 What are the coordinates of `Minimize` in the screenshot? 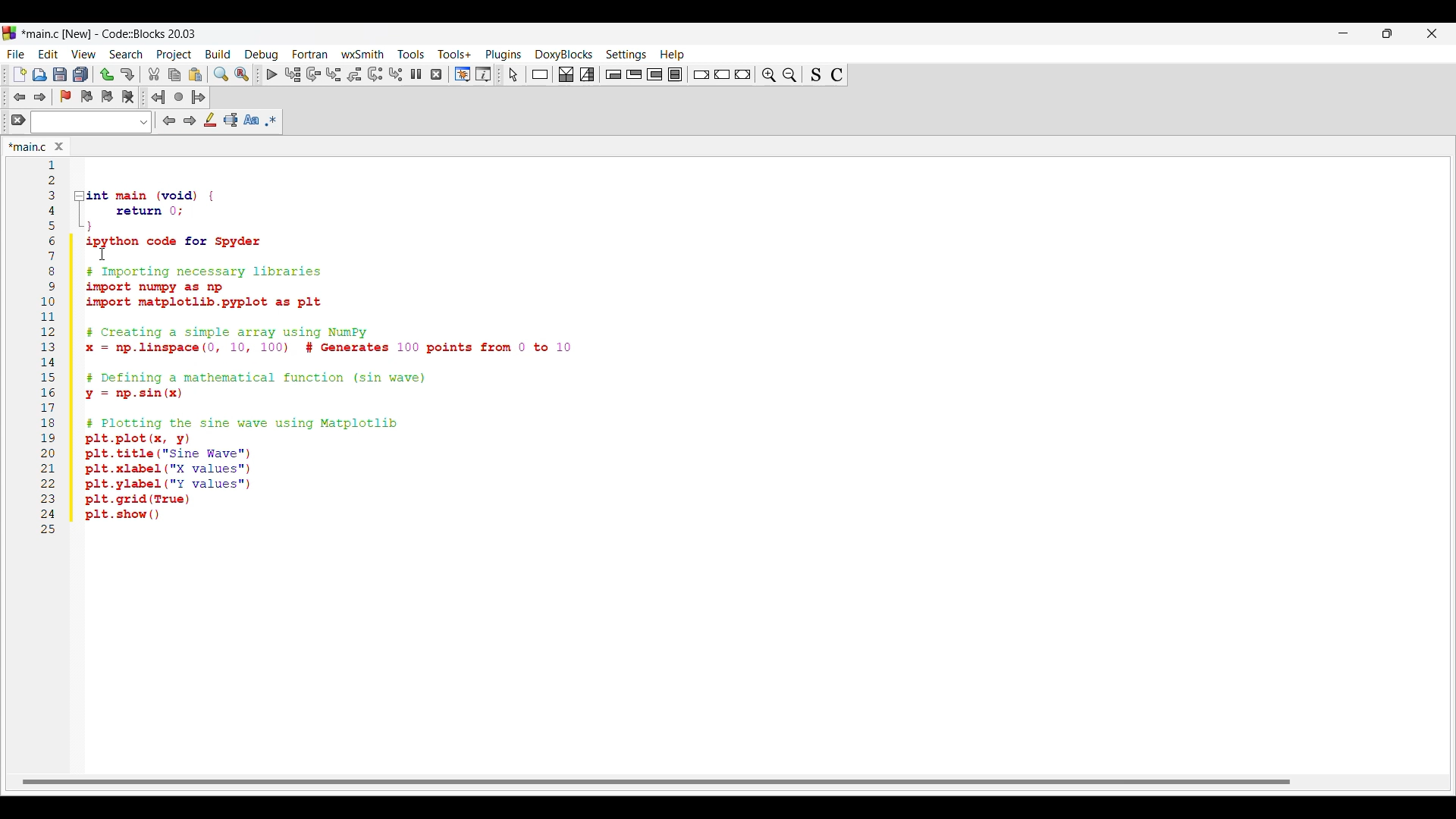 It's located at (1344, 33).